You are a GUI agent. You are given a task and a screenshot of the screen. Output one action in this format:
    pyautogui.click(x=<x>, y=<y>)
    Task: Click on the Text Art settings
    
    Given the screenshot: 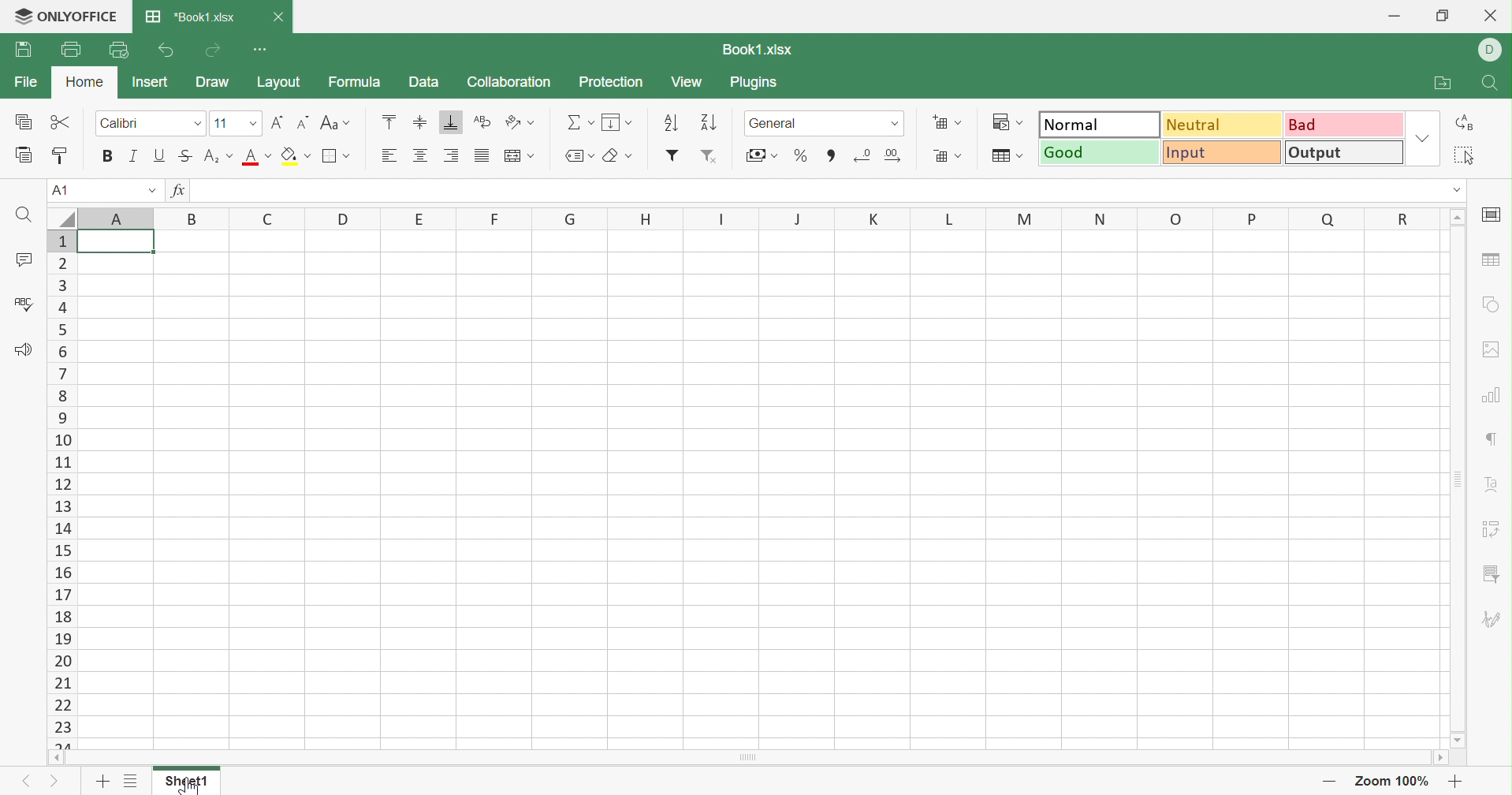 What is the action you would take?
    pyautogui.click(x=1493, y=482)
    